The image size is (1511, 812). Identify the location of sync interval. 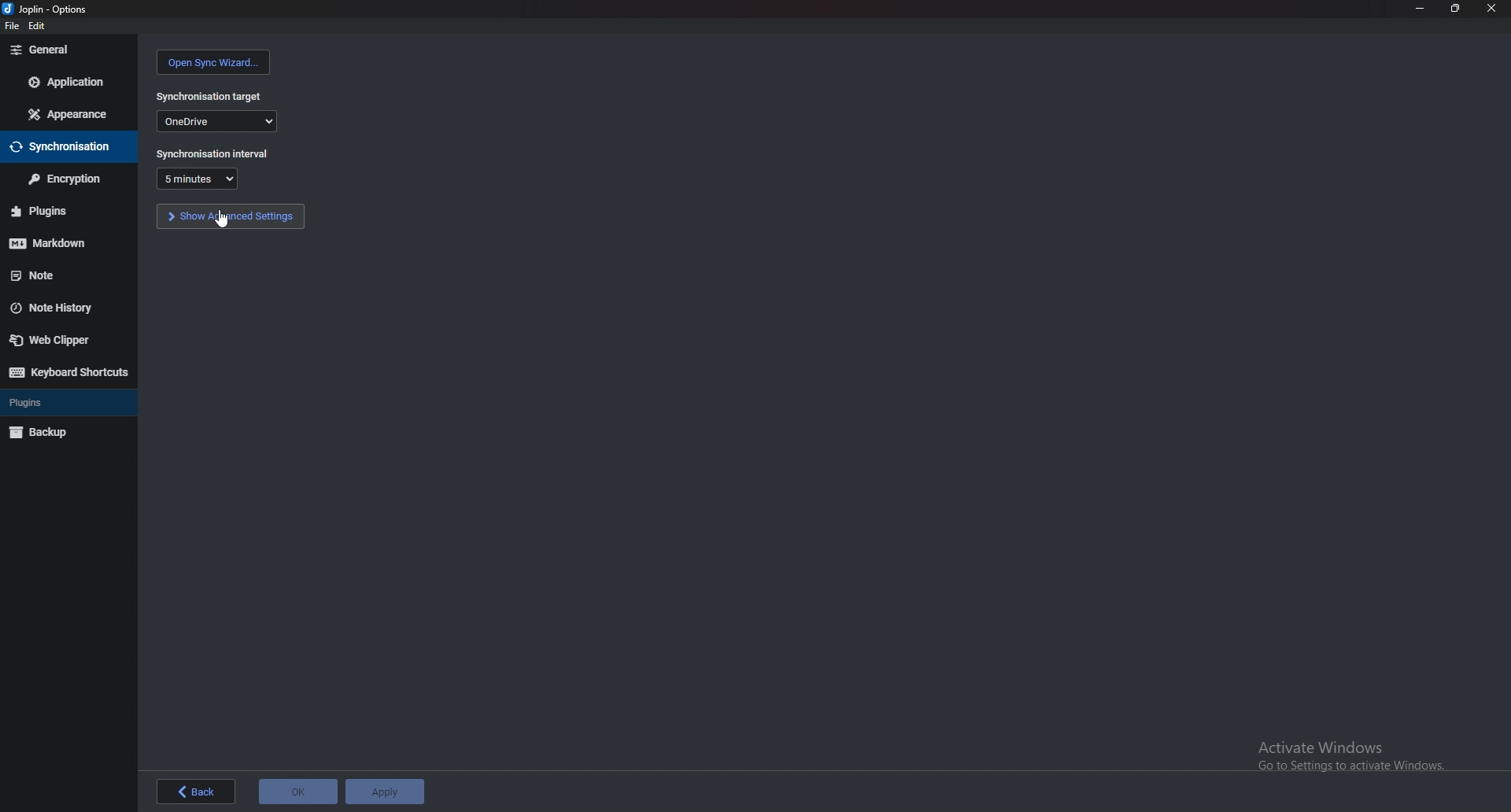
(212, 153).